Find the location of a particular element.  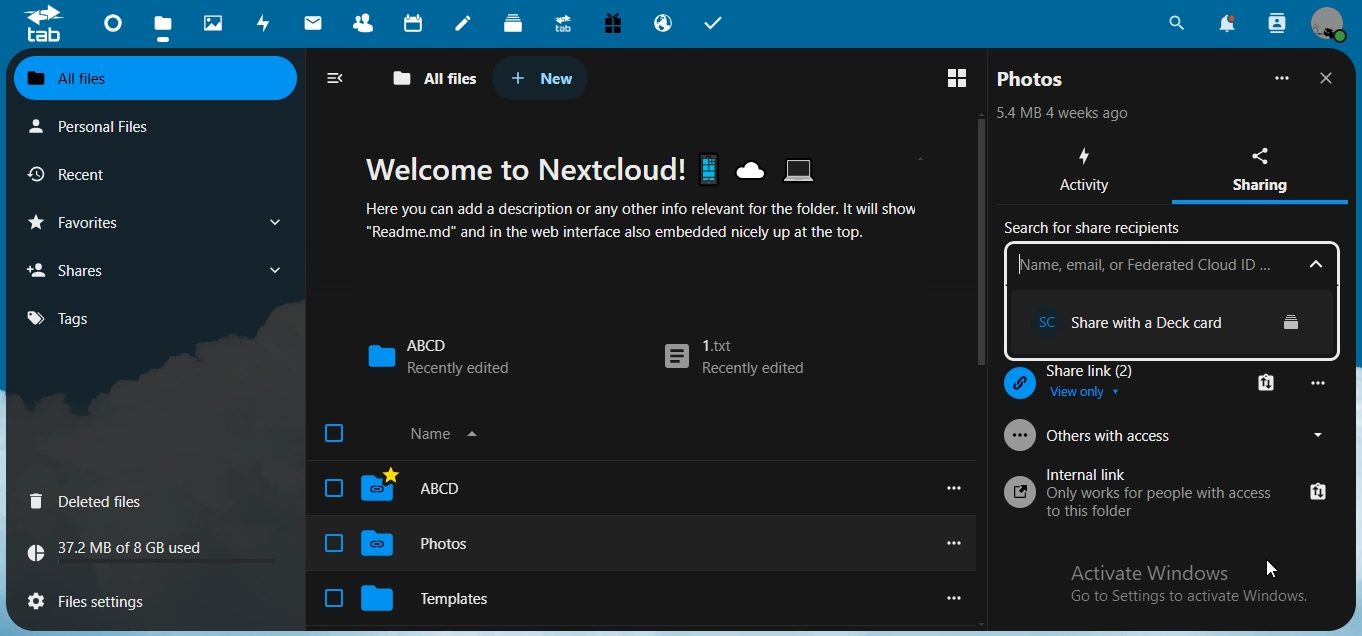

text is located at coordinates (672, 197).